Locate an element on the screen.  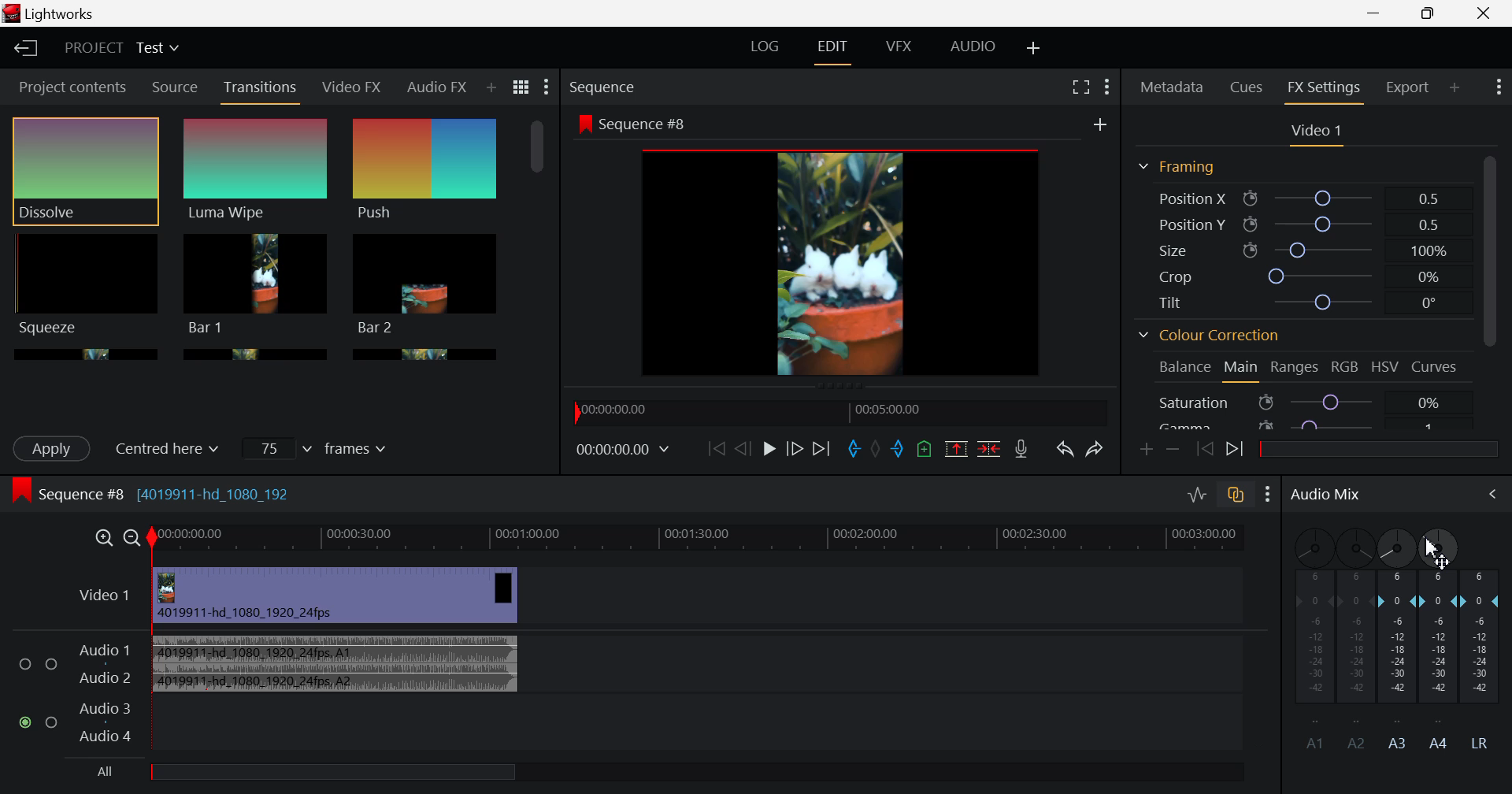
Record Voiceover  is located at coordinates (1021, 448).